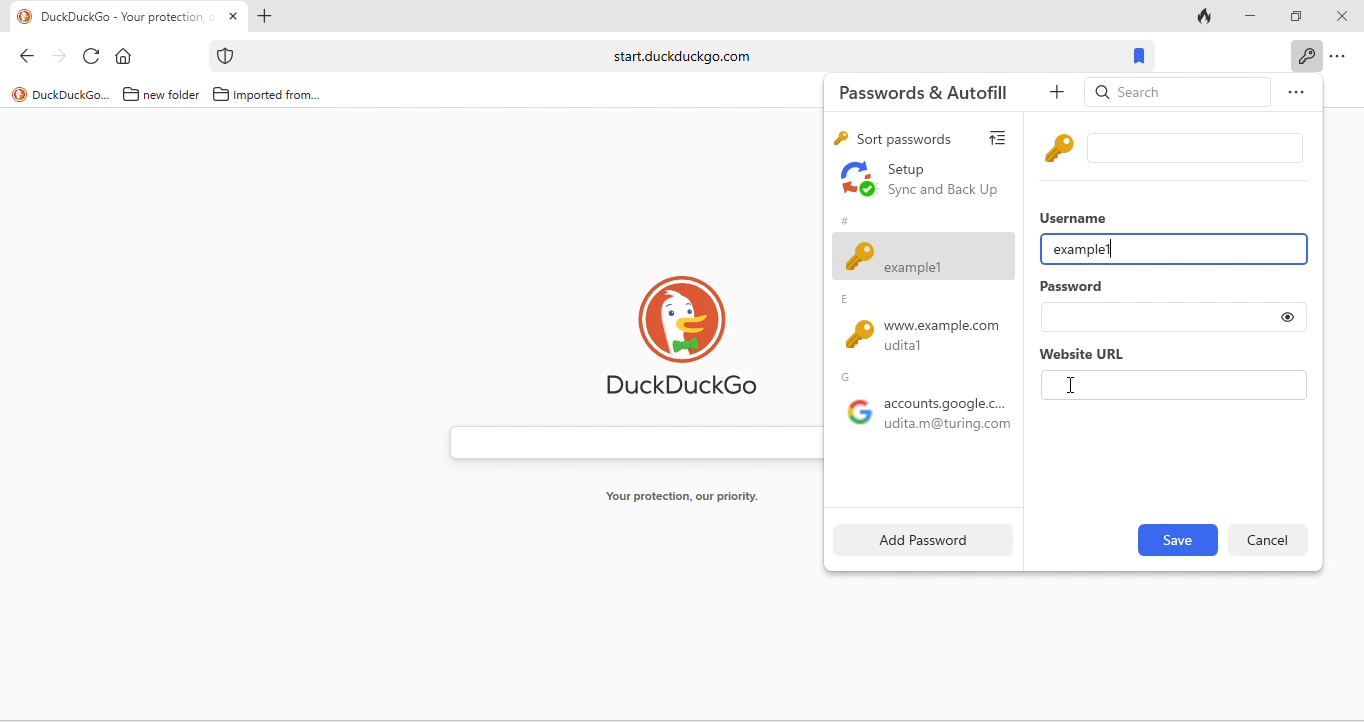  I want to click on set up, so click(922, 184).